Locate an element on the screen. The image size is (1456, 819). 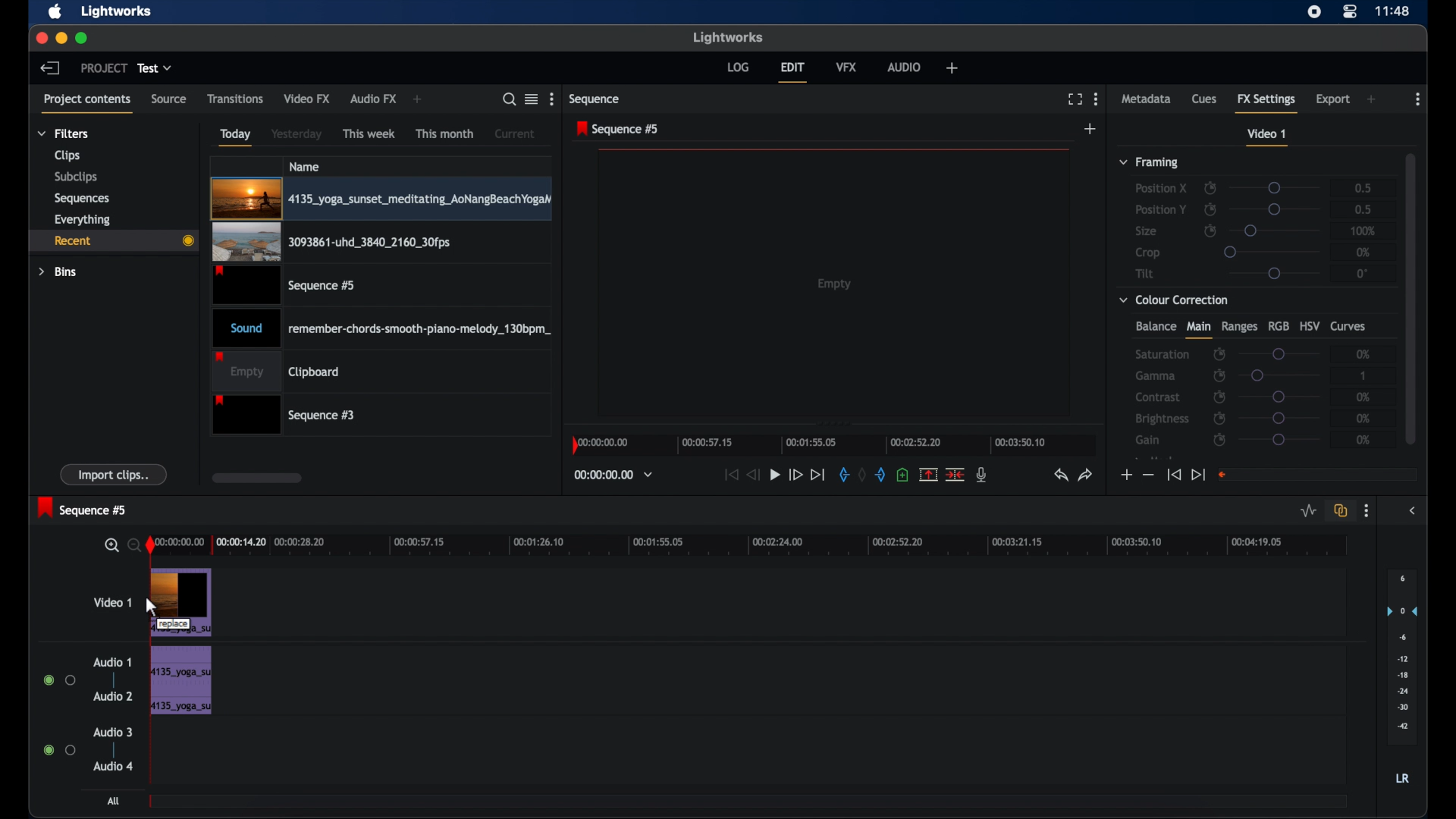
toggle list or tile view is located at coordinates (532, 99).